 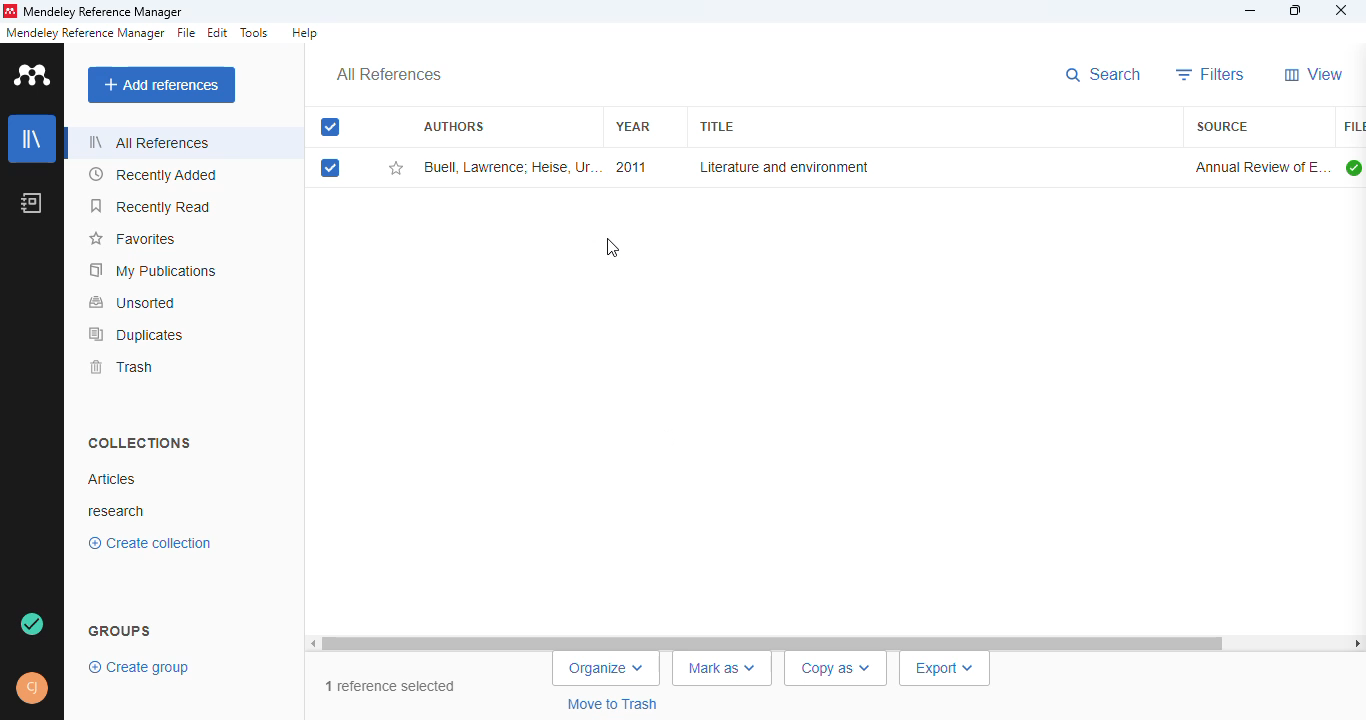 What do you see at coordinates (137, 335) in the screenshot?
I see `duplicates` at bounding box center [137, 335].